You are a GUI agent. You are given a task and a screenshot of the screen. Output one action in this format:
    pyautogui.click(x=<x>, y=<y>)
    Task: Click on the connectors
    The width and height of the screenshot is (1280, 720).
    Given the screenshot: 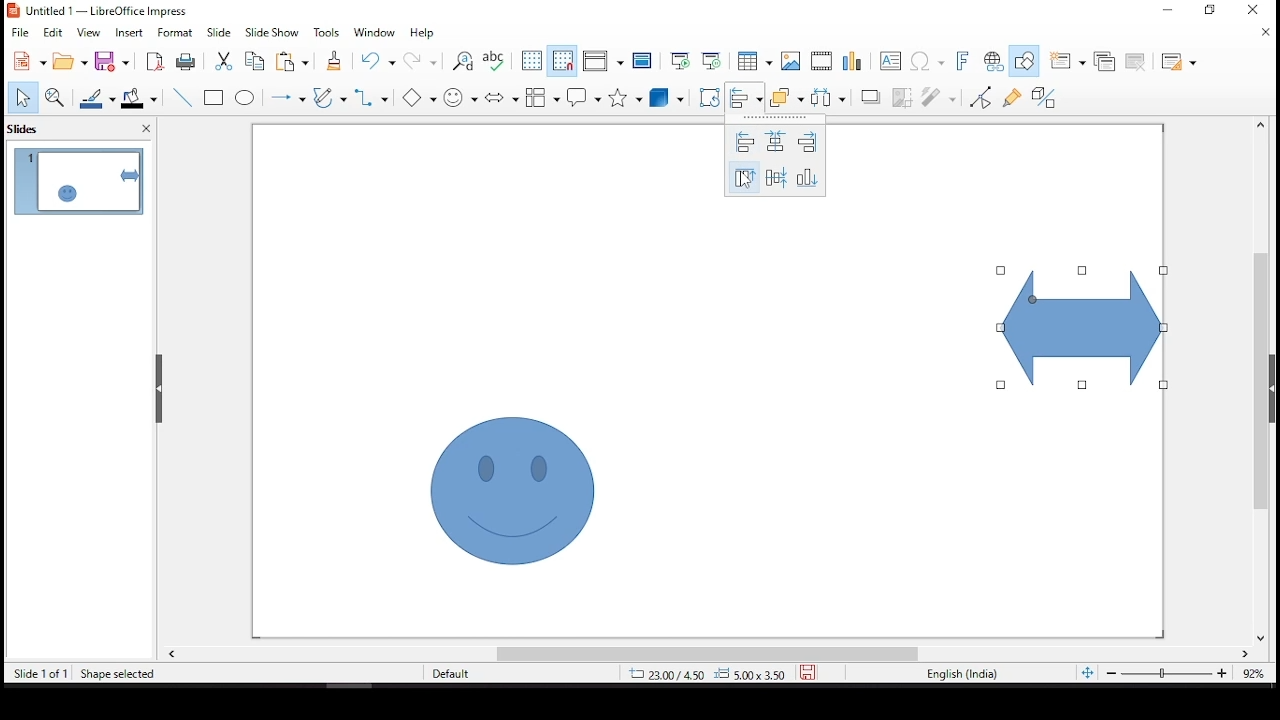 What is the action you would take?
    pyautogui.click(x=370, y=97)
    